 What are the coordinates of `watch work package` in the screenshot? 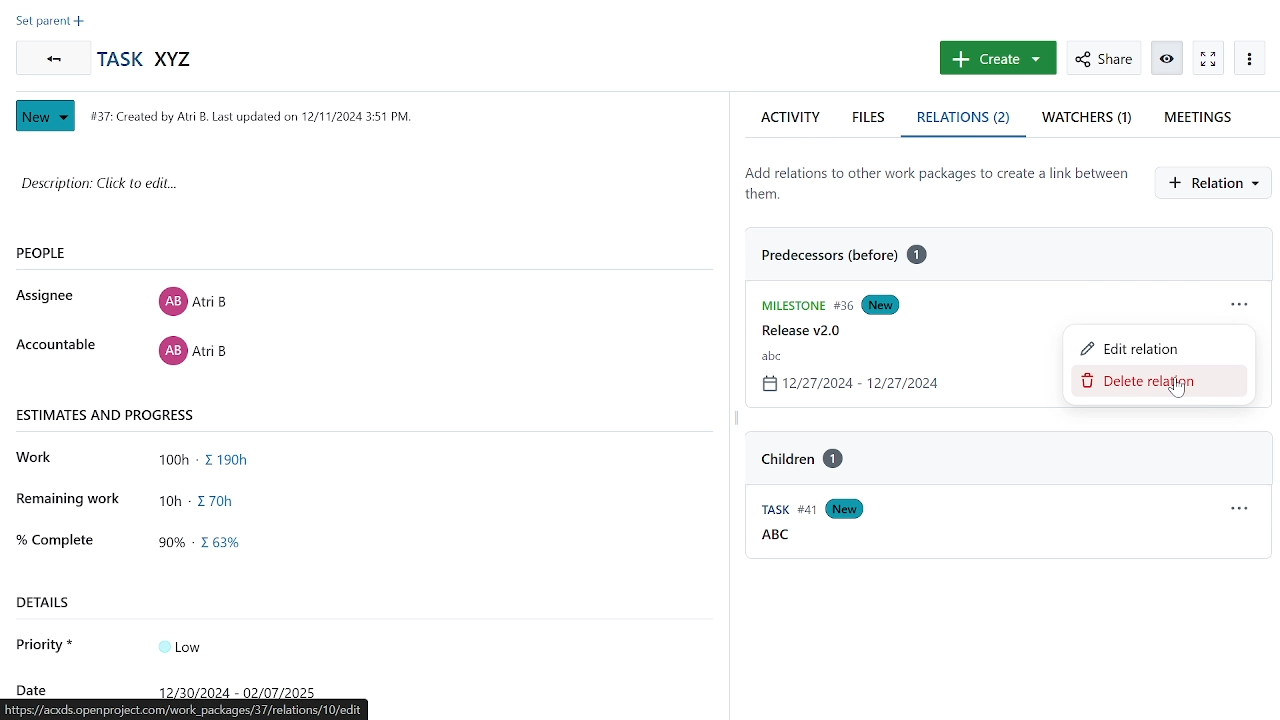 It's located at (1207, 58).